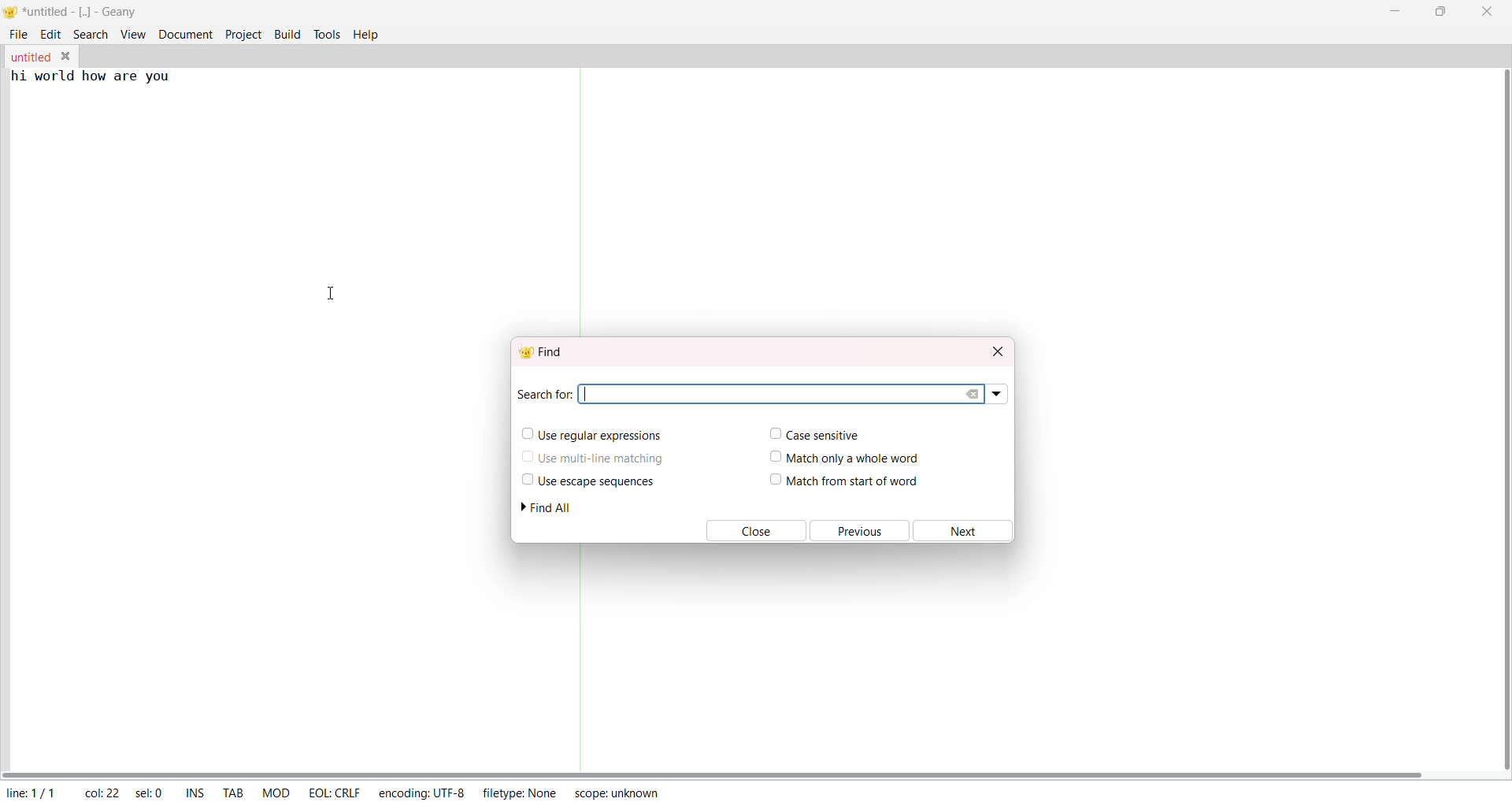 The height and width of the screenshot is (802, 1512). Describe the element at coordinates (286, 33) in the screenshot. I see `build` at that location.